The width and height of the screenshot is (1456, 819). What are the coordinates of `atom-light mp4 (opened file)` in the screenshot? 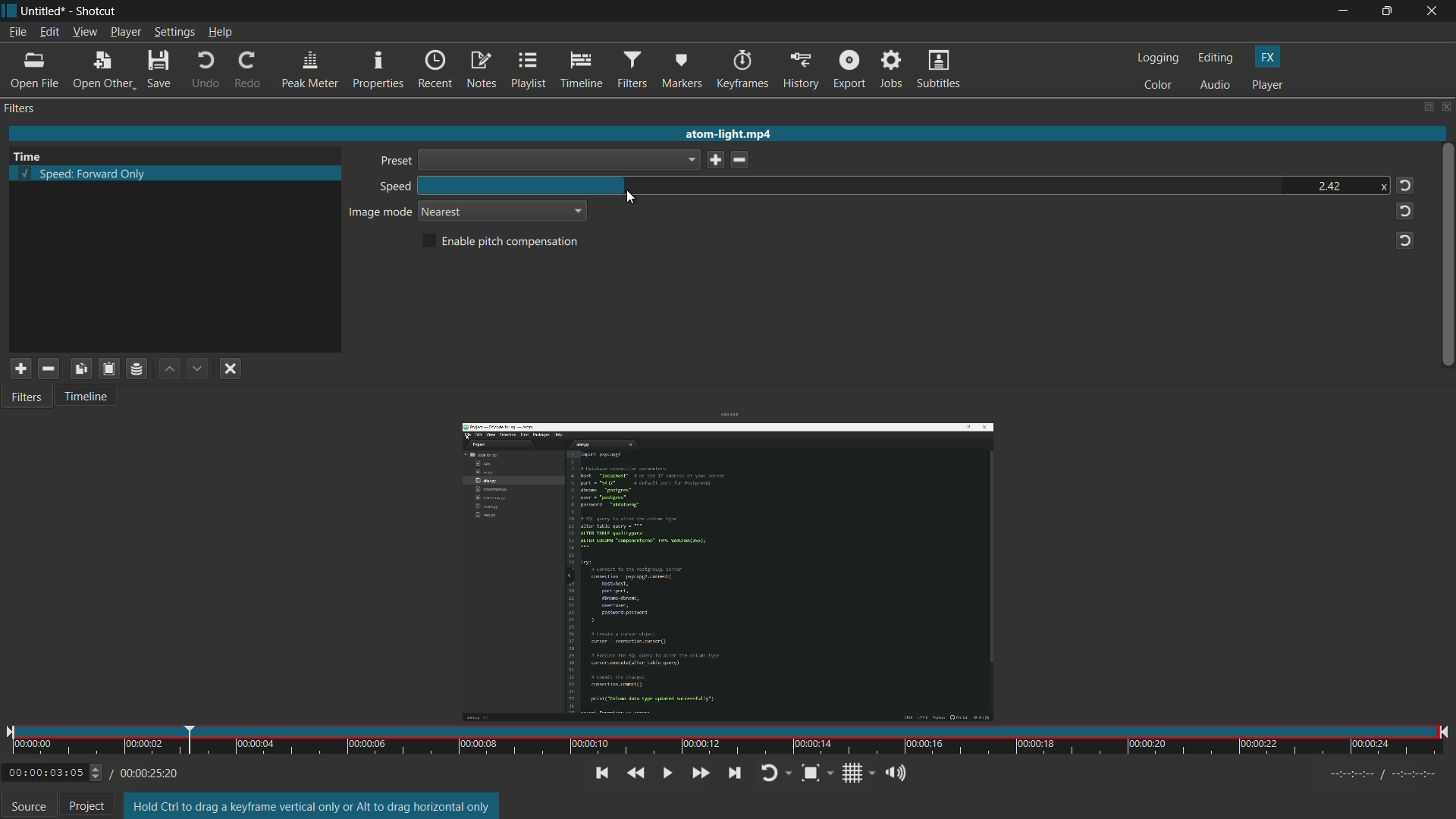 It's located at (733, 132).